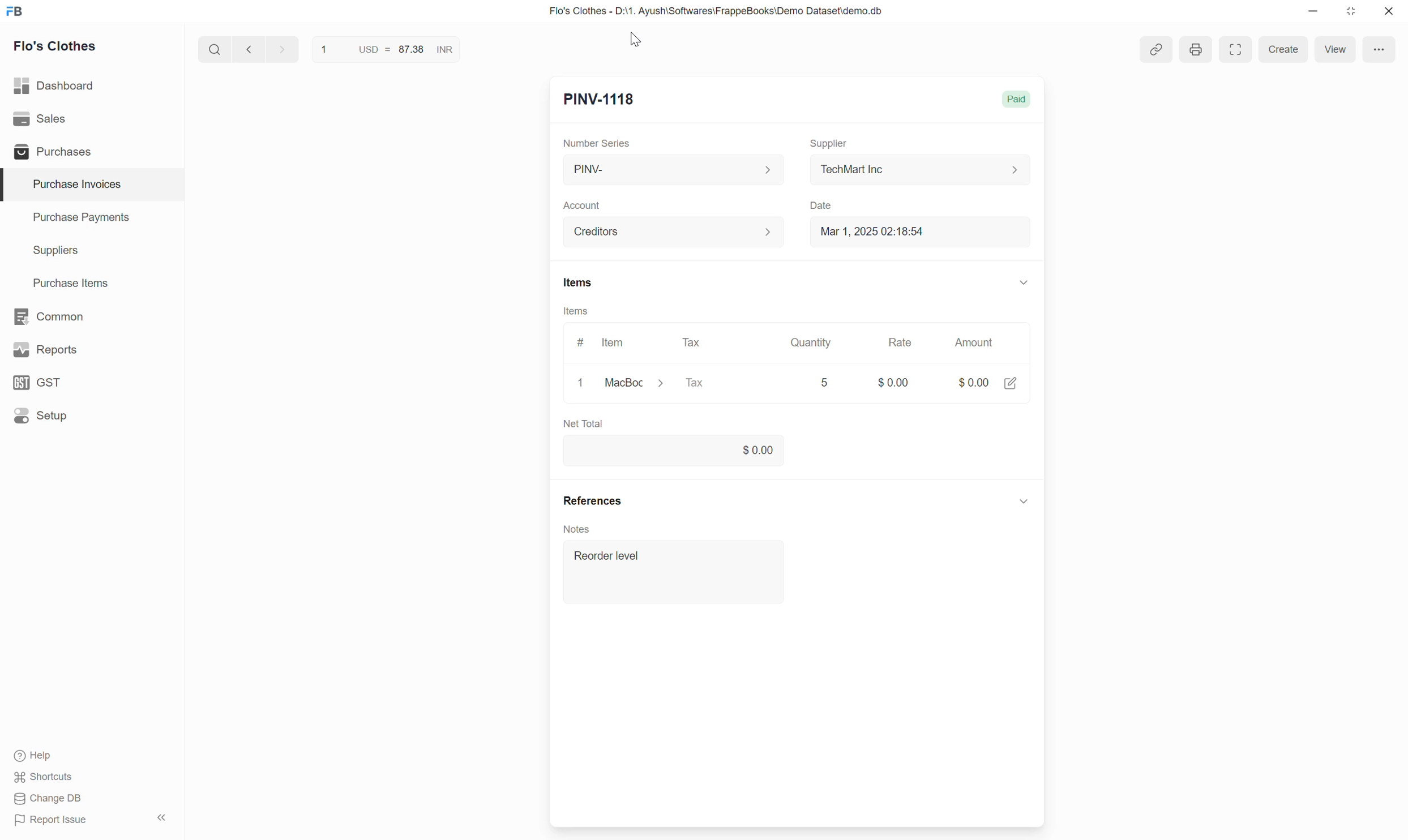 This screenshot has height=840, width=1408. Describe the element at coordinates (580, 528) in the screenshot. I see `Notes` at that location.